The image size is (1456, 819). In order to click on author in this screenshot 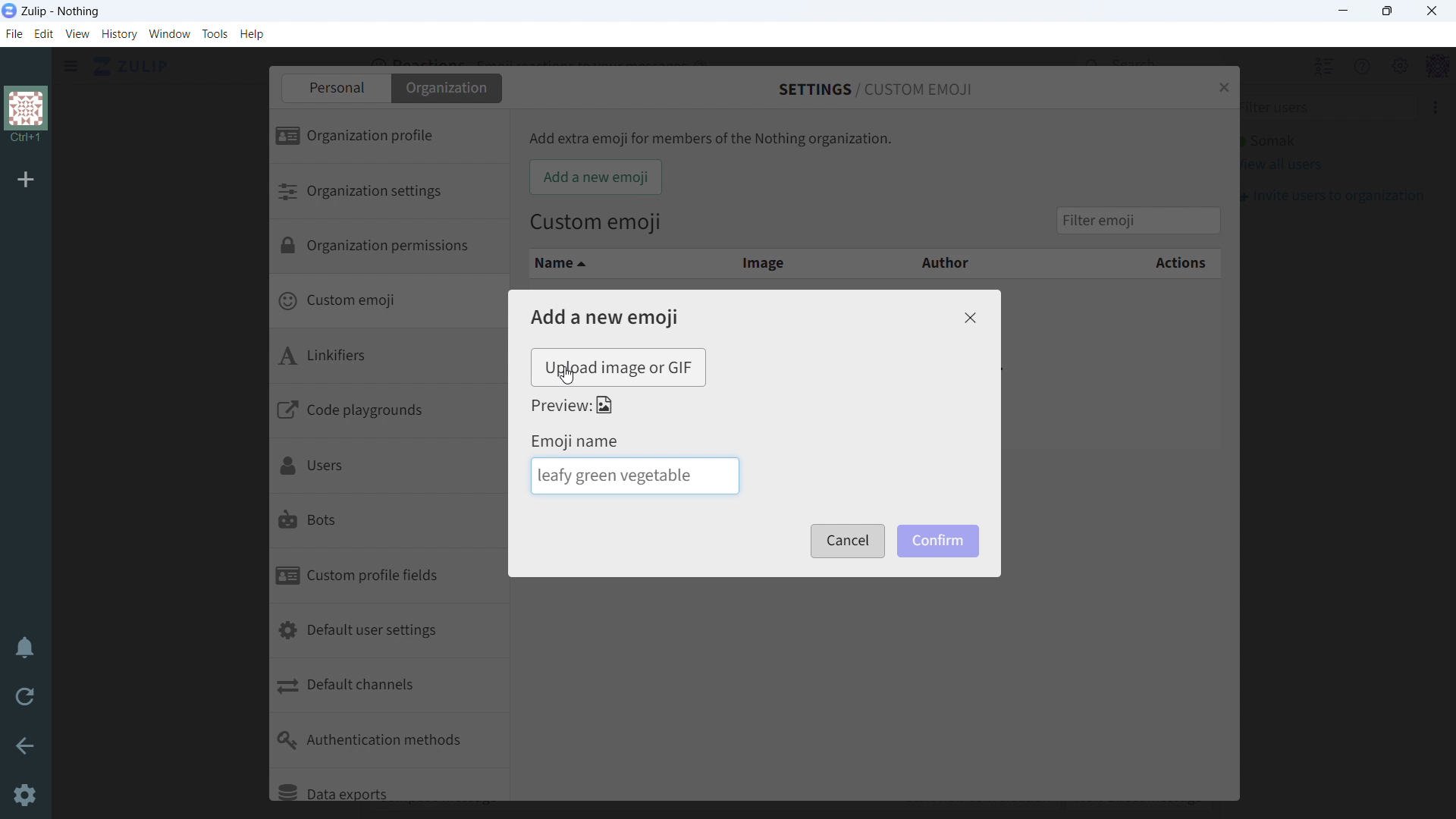, I will do `click(935, 264)`.